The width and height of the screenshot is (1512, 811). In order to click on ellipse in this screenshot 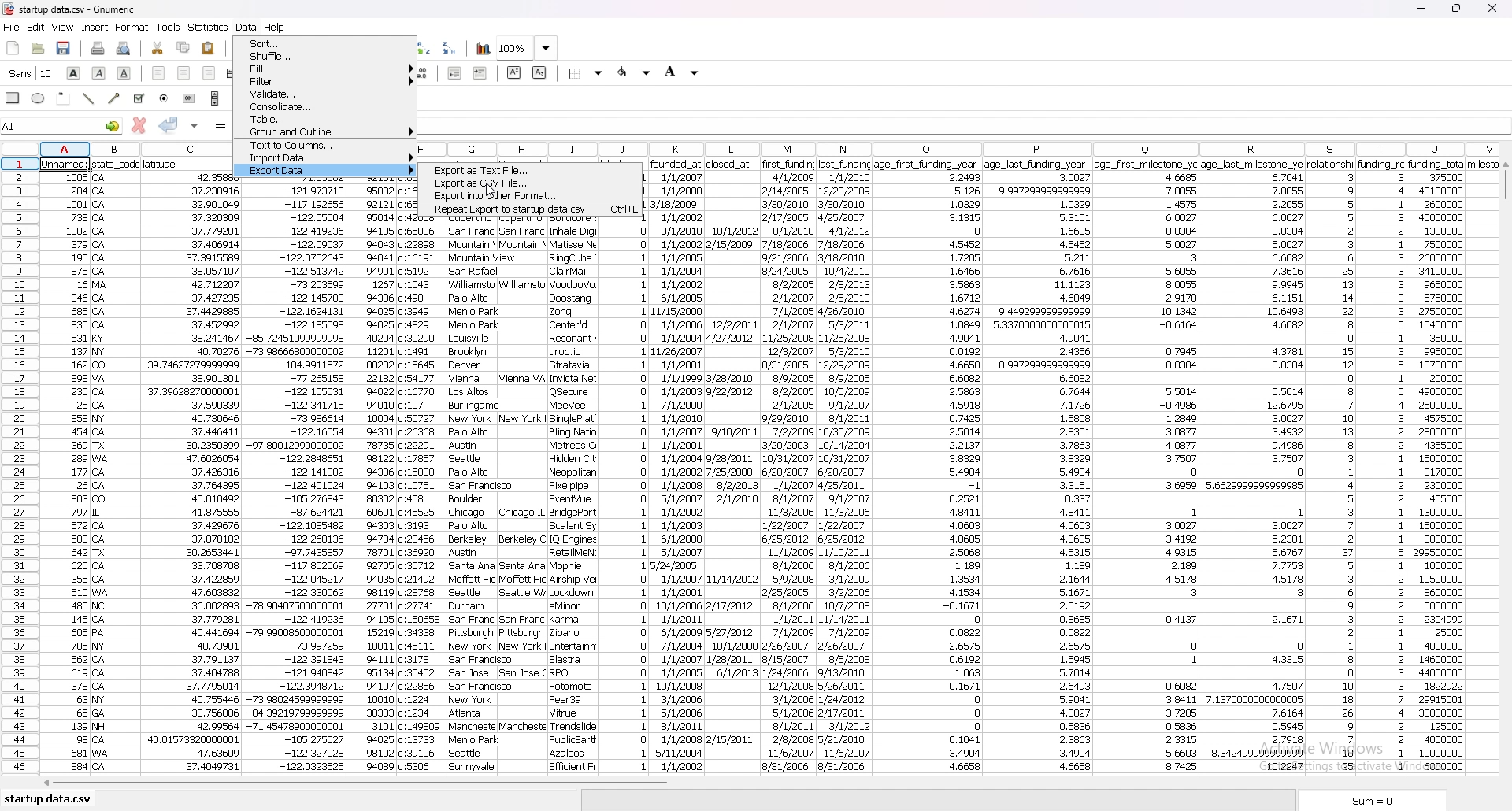, I will do `click(39, 99)`.